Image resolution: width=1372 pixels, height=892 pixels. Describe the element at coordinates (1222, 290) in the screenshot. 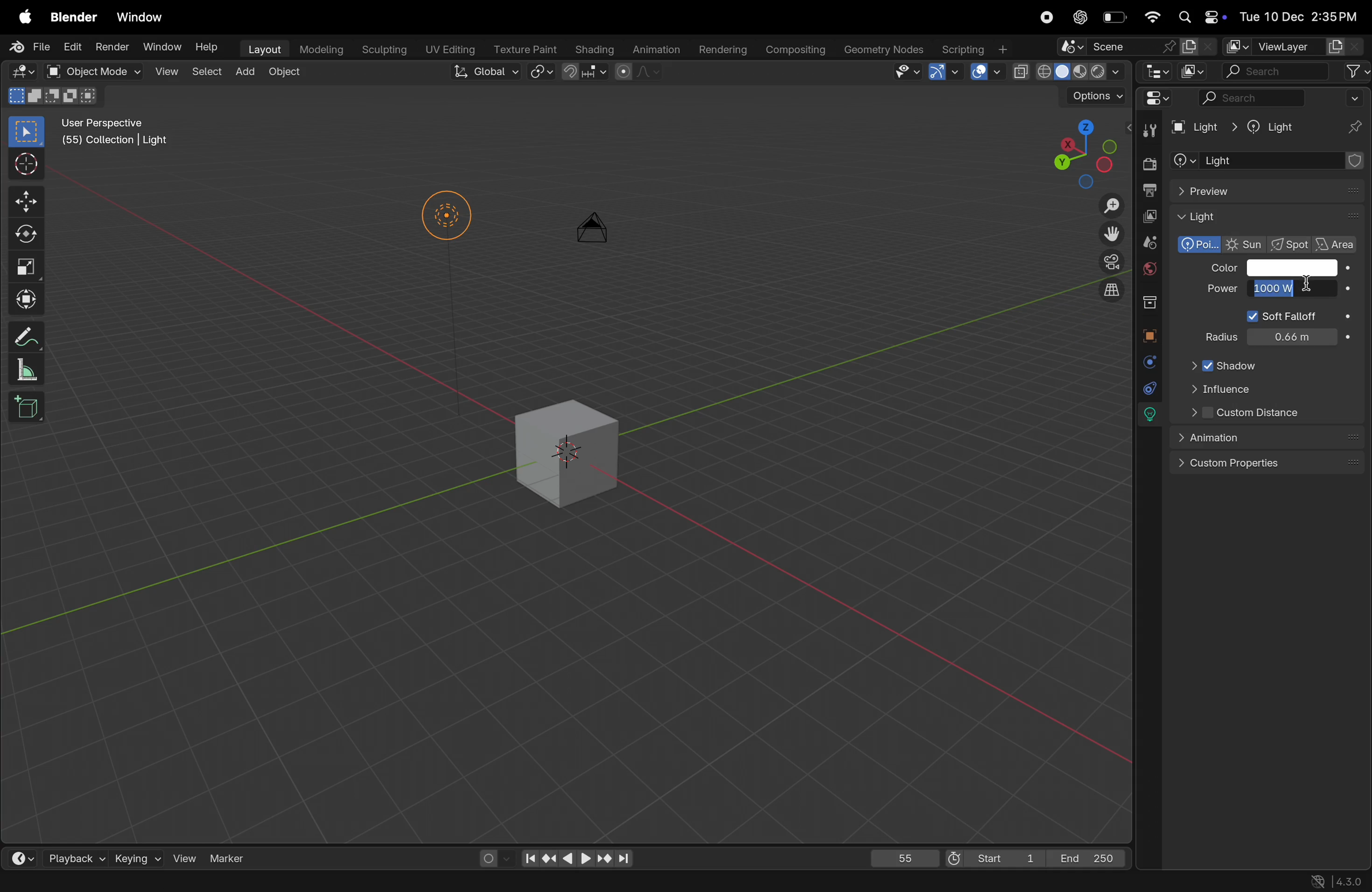

I see `Power` at that location.